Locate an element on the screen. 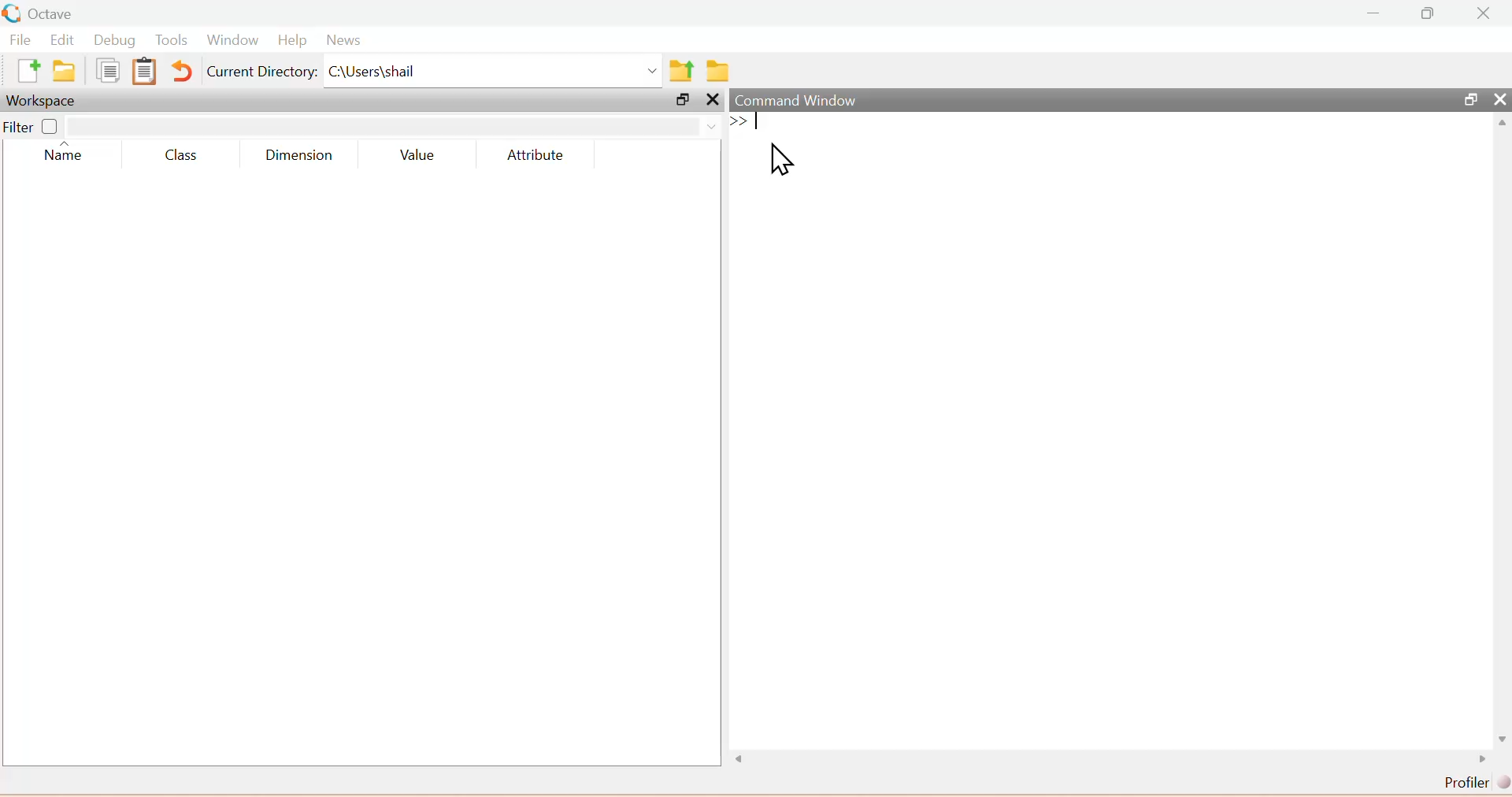 This screenshot has height=797, width=1512. open an existing file in directory is located at coordinates (69, 71).